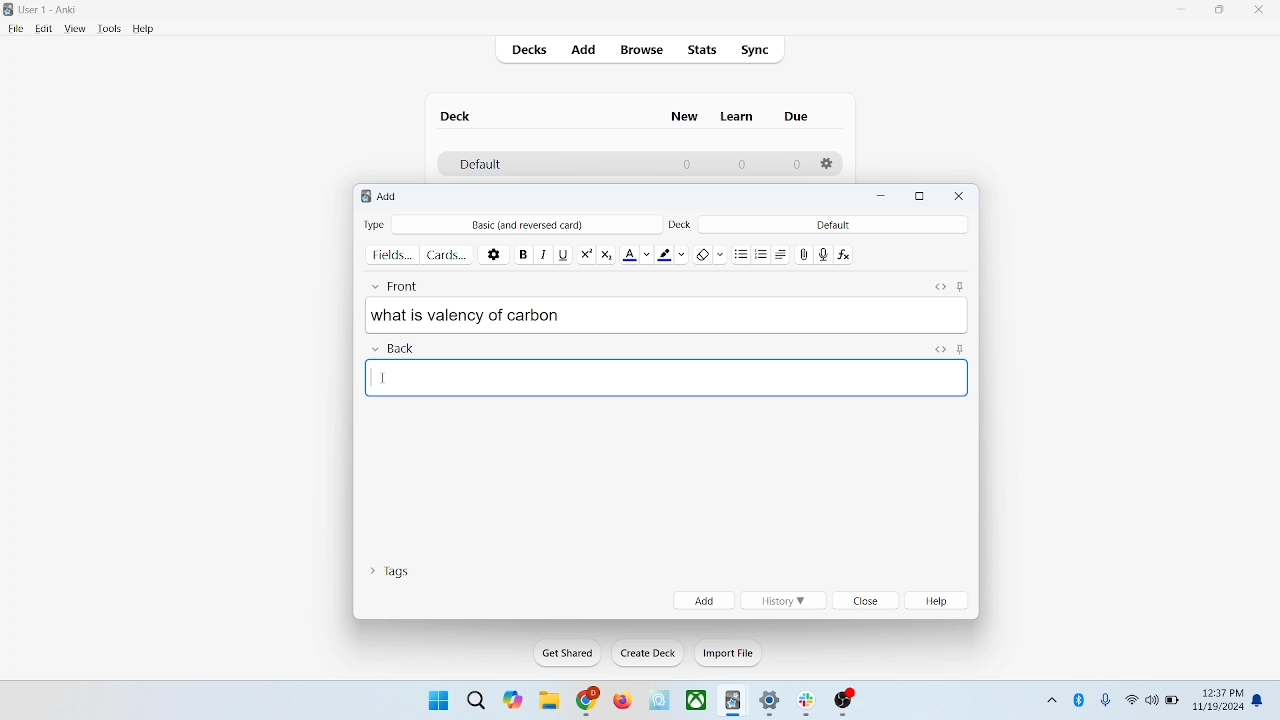 The width and height of the screenshot is (1280, 720). Describe the element at coordinates (45, 28) in the screenshot. I see `edit` at that location.